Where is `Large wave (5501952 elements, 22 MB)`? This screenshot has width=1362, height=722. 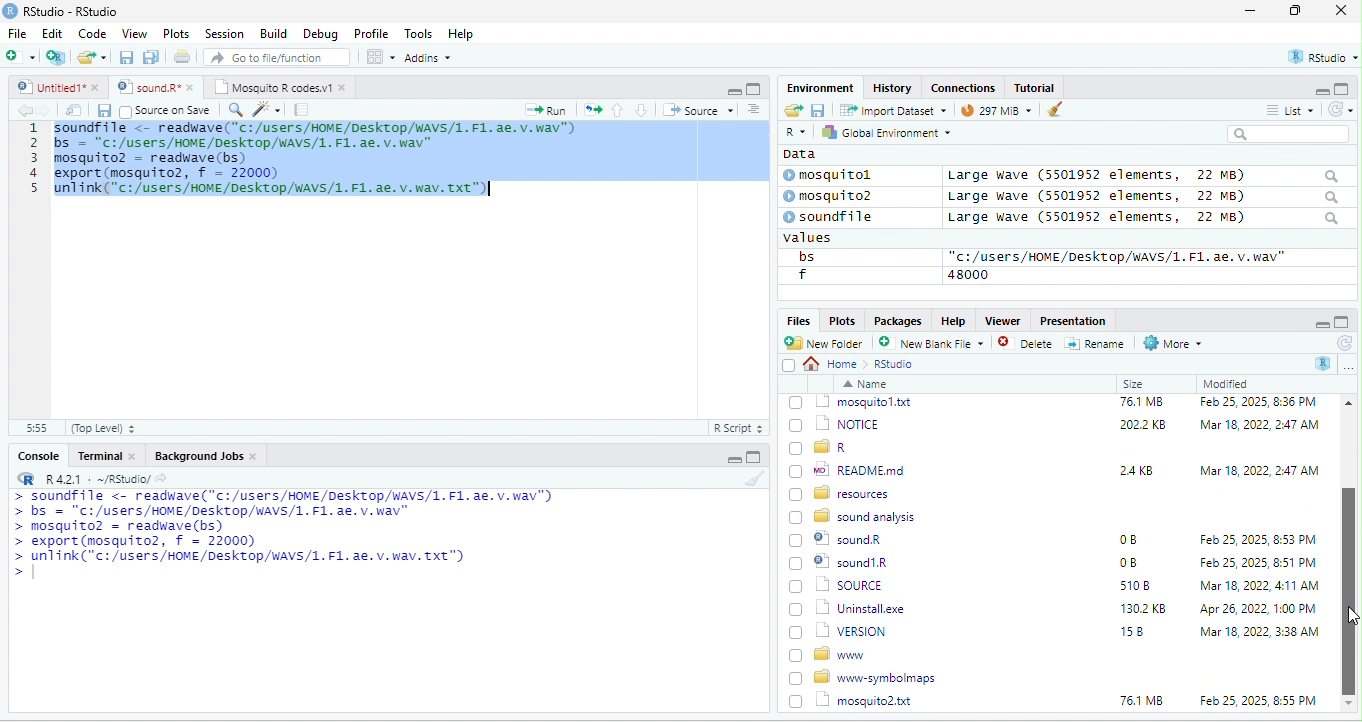
Large wave (5501952 elements, 22 MB) is located at coordinates (1144, 219).